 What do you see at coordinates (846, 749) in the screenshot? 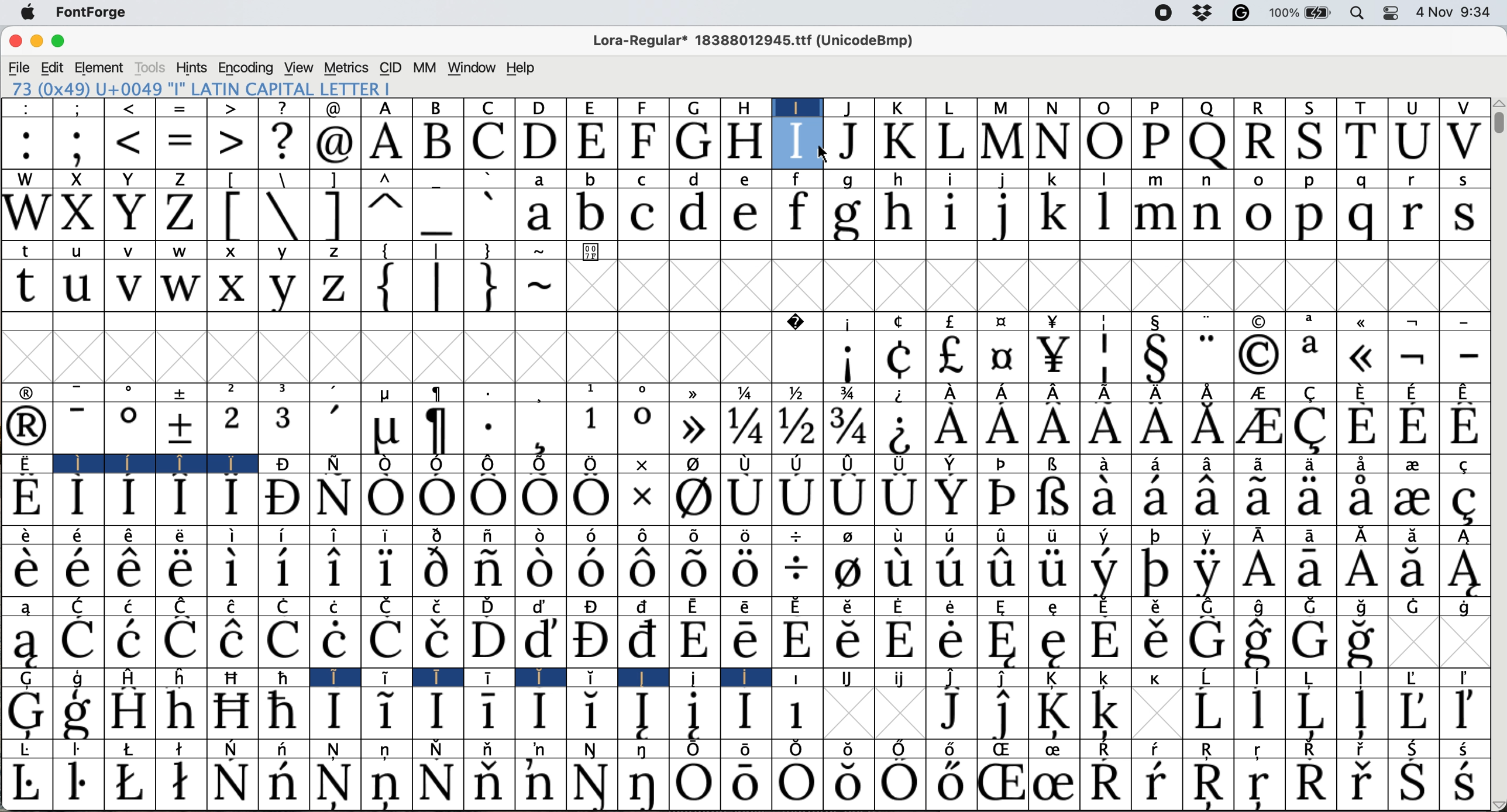
I see `Symbol` at bounding box center [846, 749].